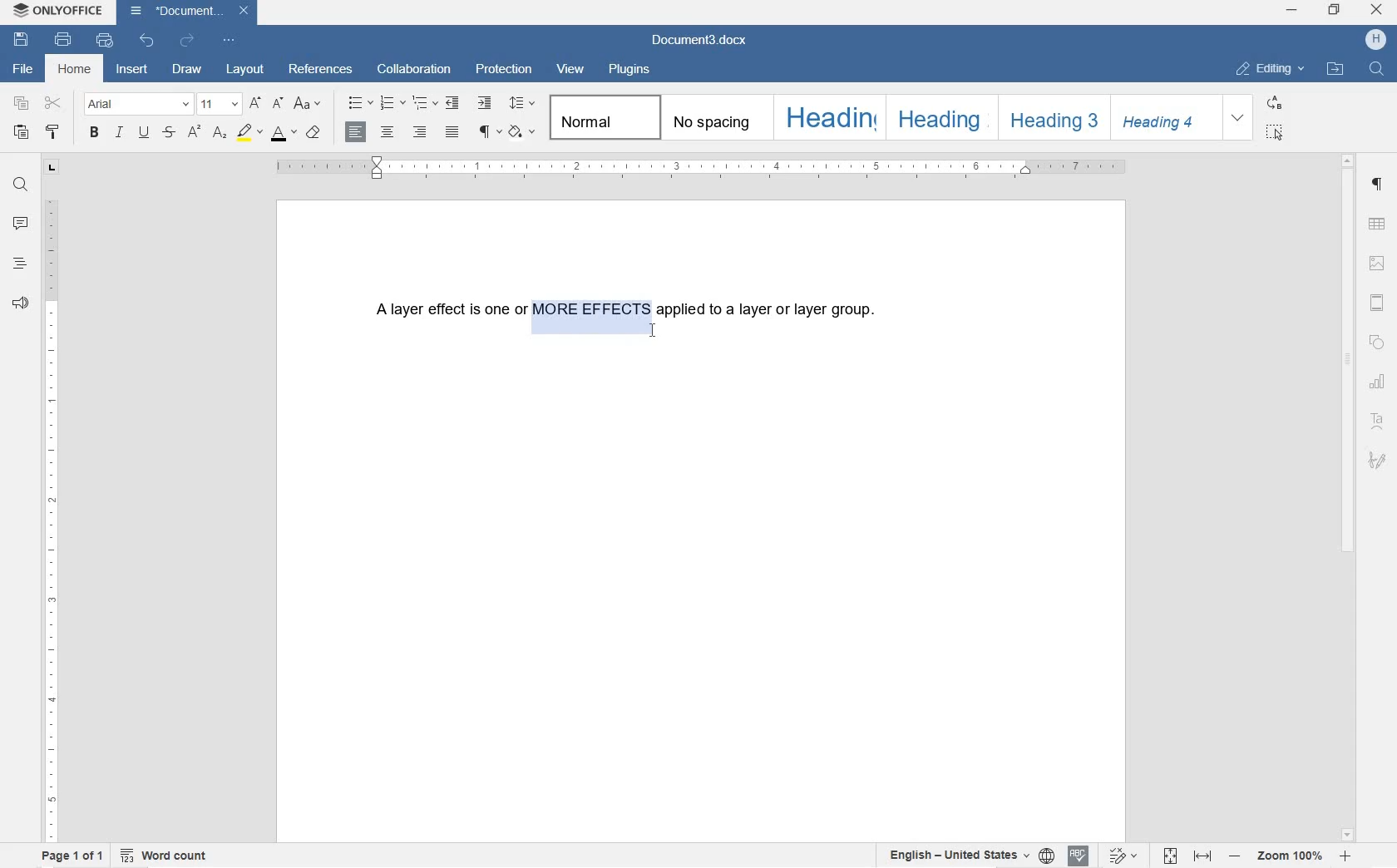 Image resolution: width=1397 pixels, height=868 pixels. I want to click on HEADING 2, so click(937, 116).